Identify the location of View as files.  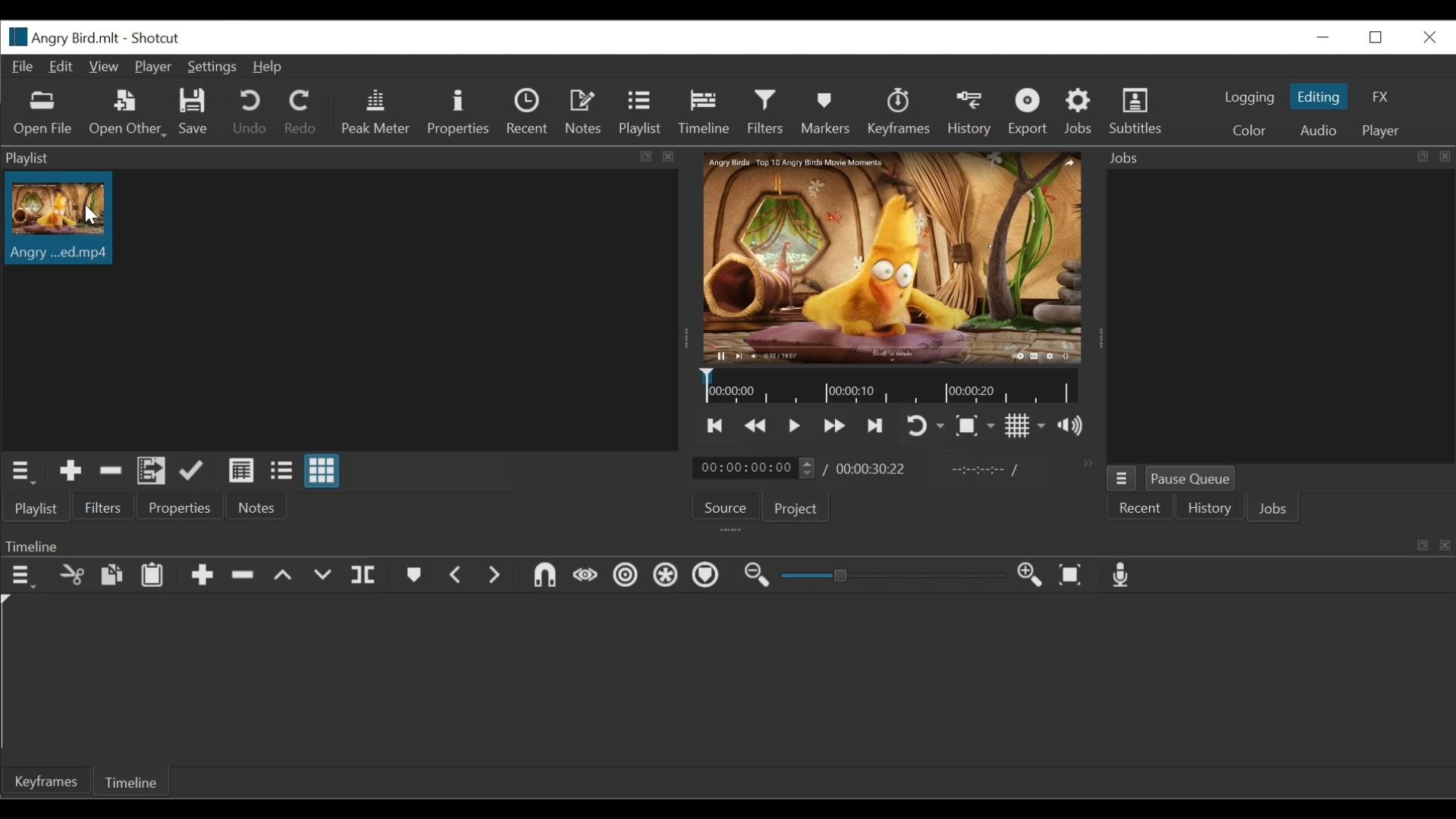
(281, 470).